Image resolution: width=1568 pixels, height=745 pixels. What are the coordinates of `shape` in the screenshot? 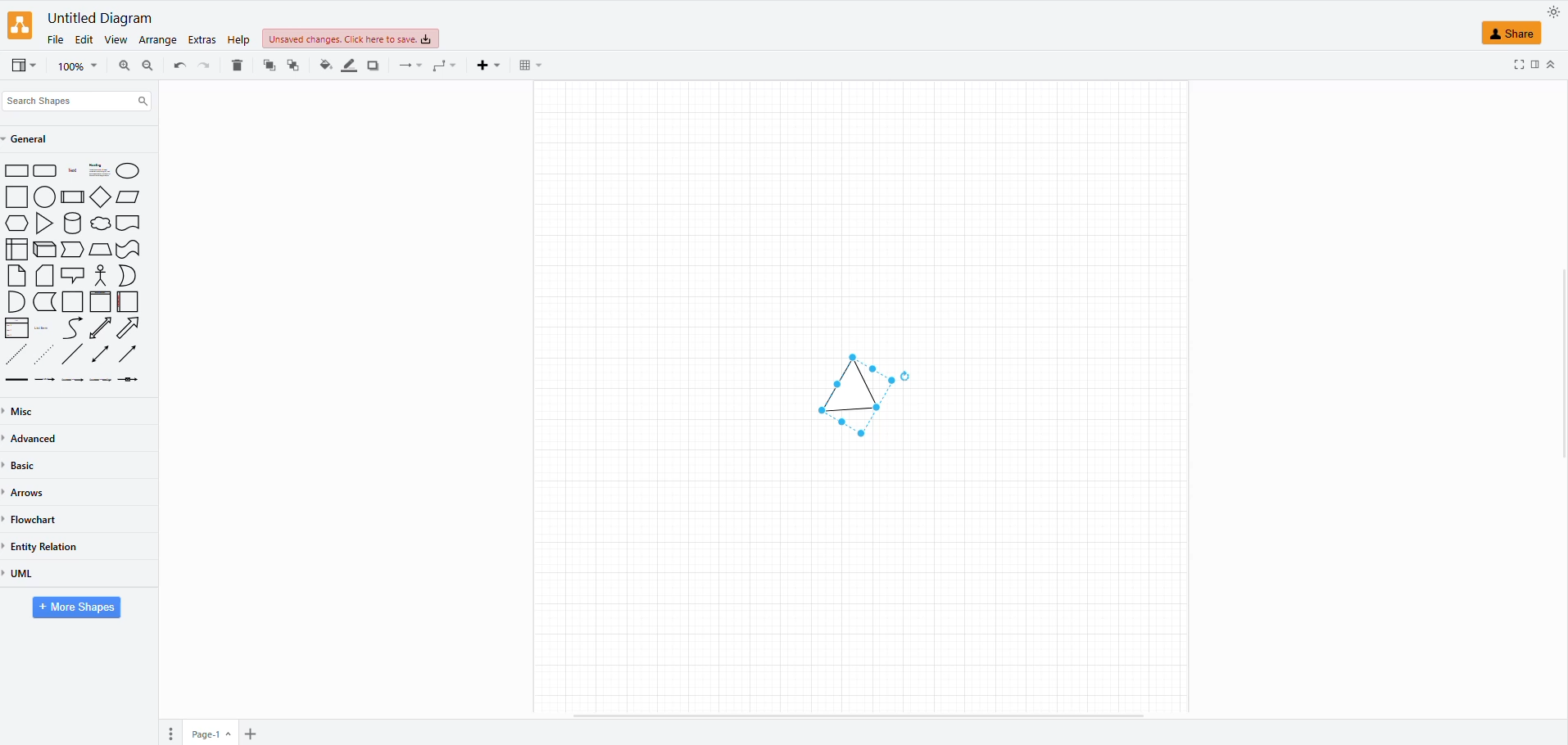 It's located at (1520, 34).